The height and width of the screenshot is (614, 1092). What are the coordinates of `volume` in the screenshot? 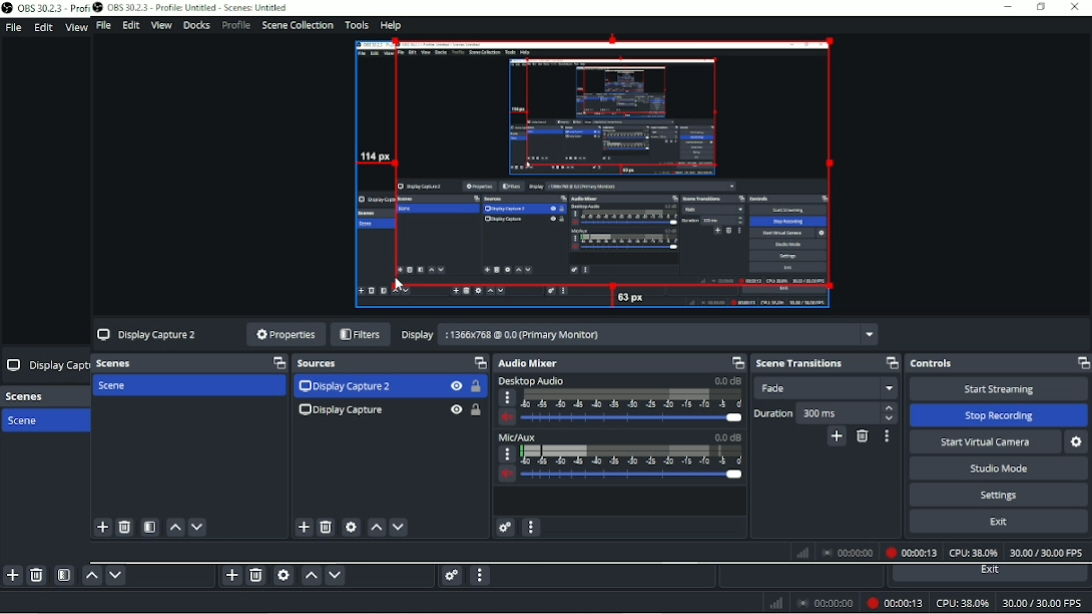 It's located at (503, 475).